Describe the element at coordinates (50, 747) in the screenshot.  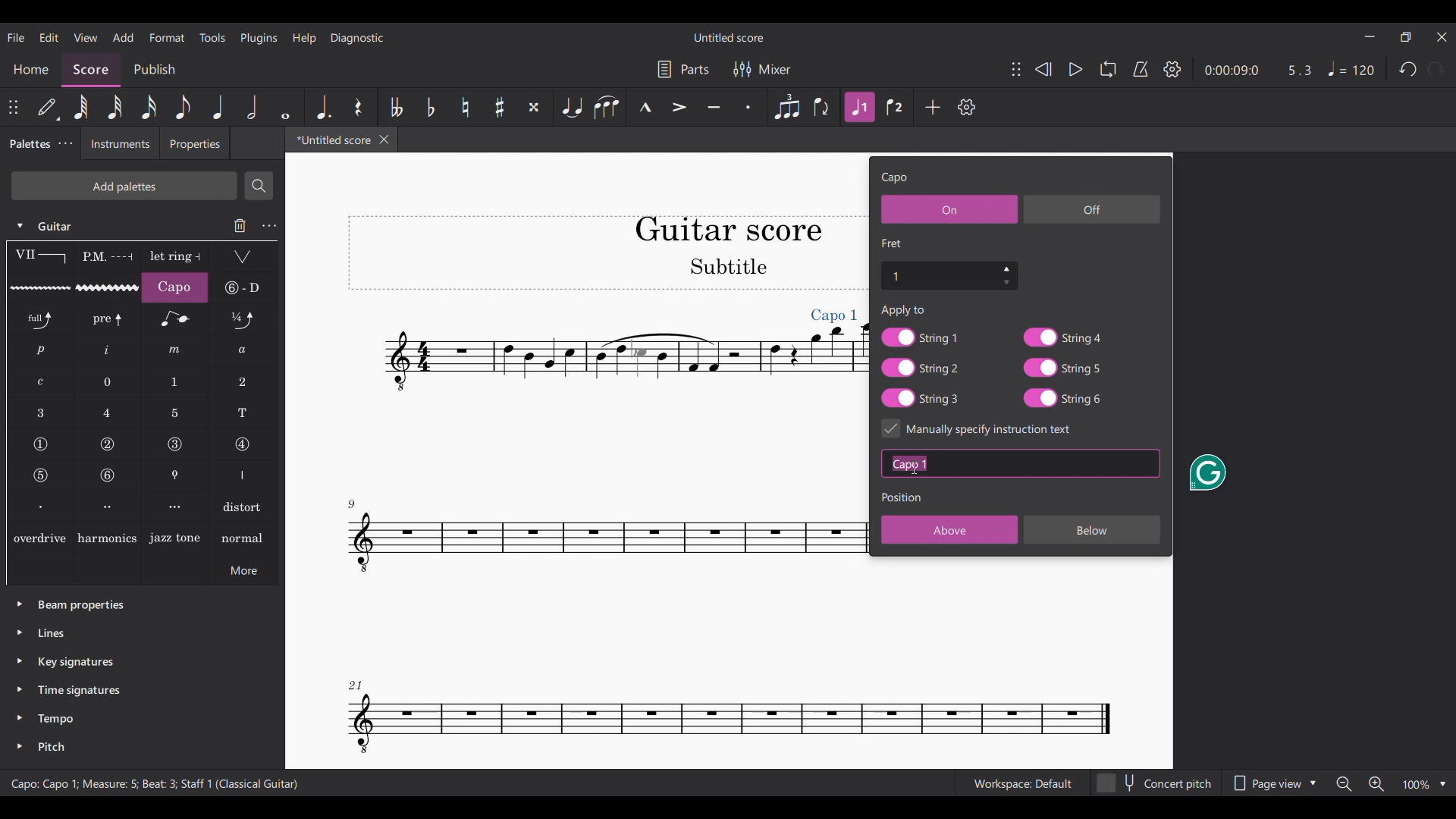
I see `Pitch` at that location.